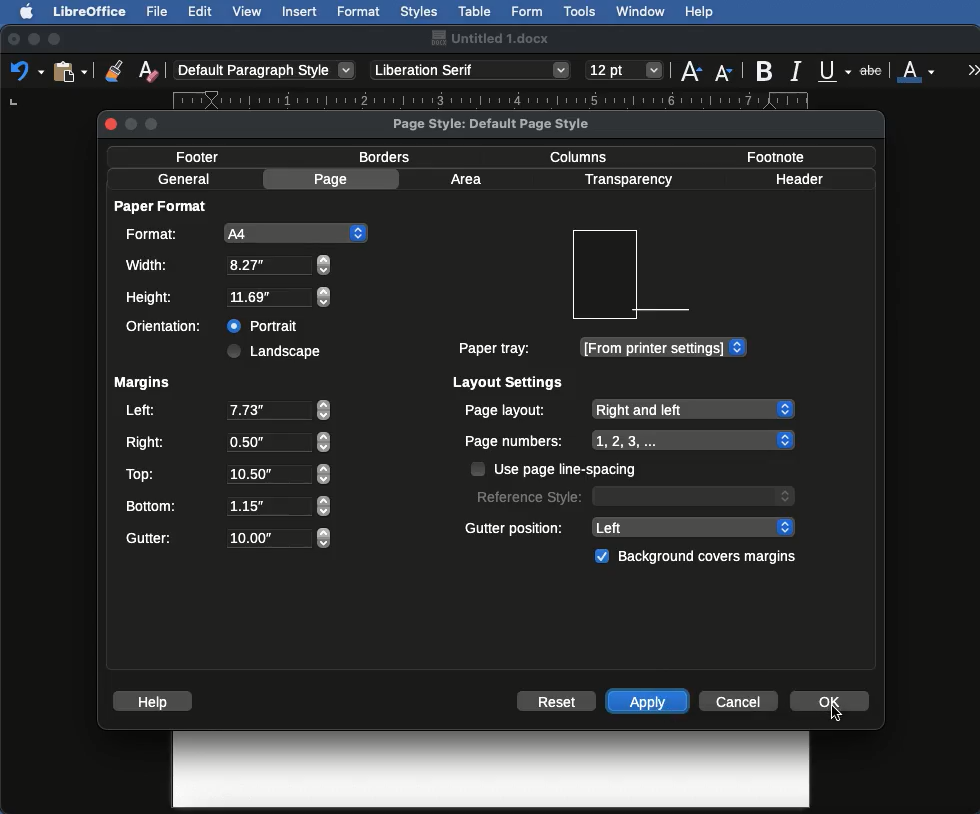 The image size is (980, 814). I want to click on Reference style, so click(633, 495).